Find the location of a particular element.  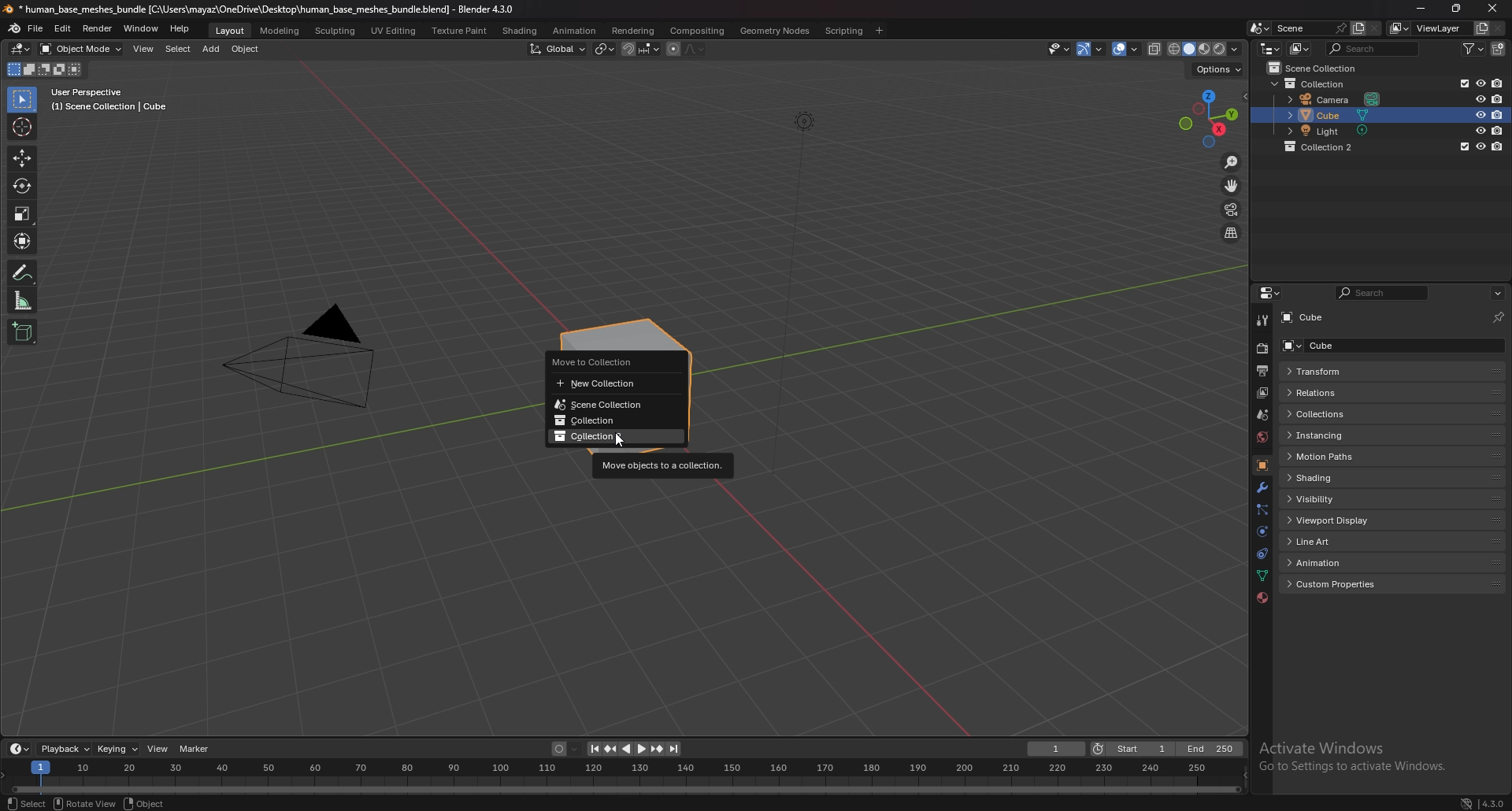

collection is located at coordinates (1315, 83).